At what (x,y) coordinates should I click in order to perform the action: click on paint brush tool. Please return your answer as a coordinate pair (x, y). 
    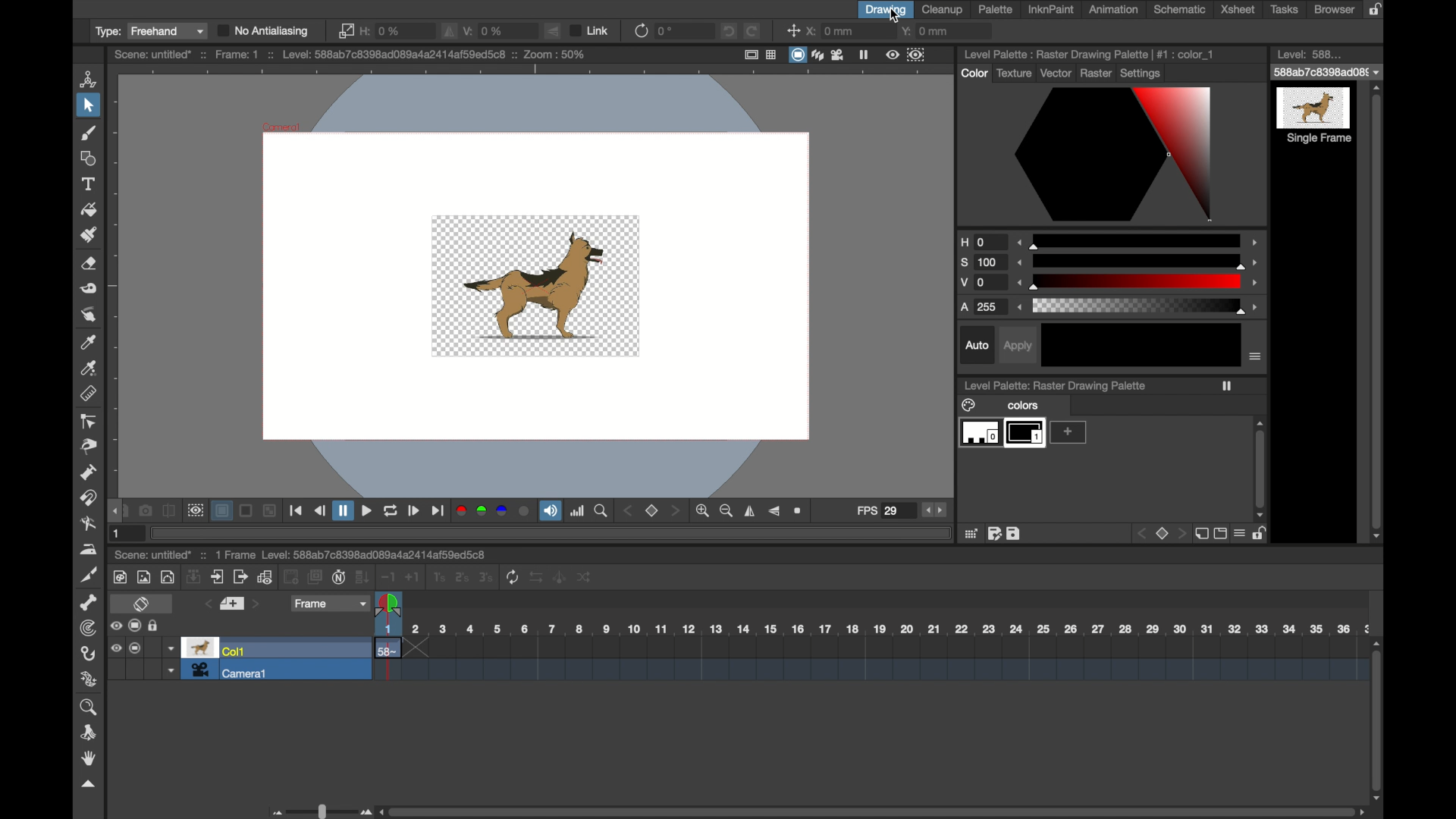
    Looking at the image, I should click on (89, 133).